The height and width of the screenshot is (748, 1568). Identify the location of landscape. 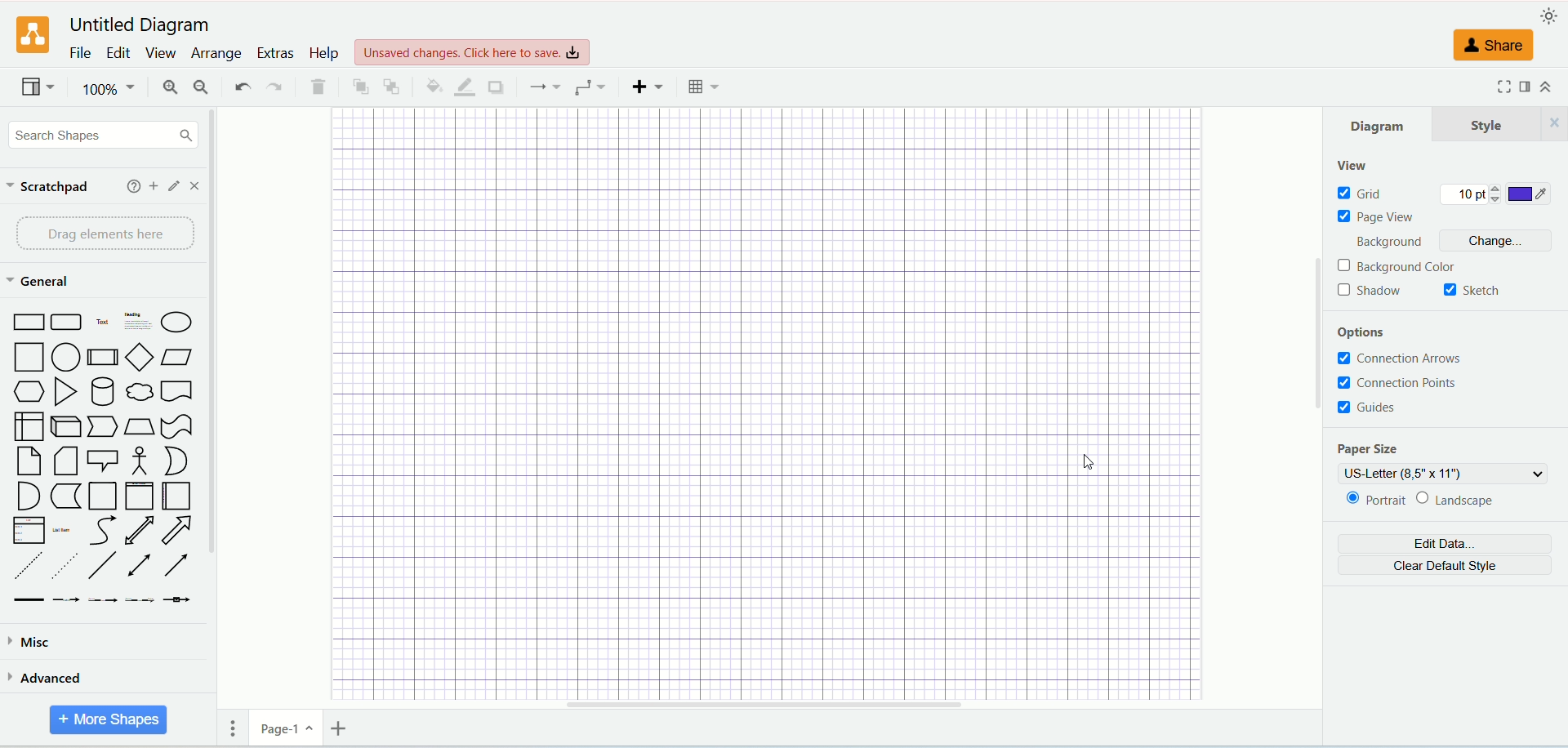
(1459, 498).